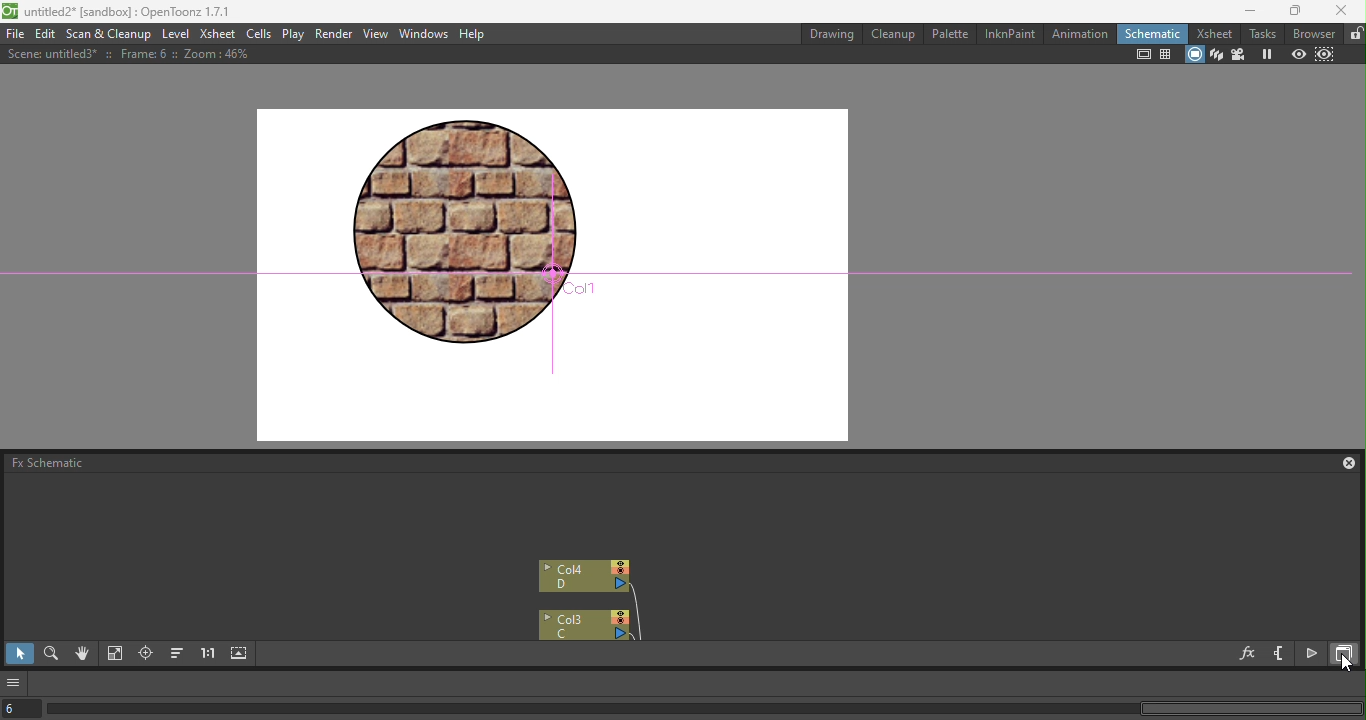 The height and width of the screenshot is (720, 1366). Describe the element at coordinates (335, 34) in the screenshot. I see `Render` at that location.